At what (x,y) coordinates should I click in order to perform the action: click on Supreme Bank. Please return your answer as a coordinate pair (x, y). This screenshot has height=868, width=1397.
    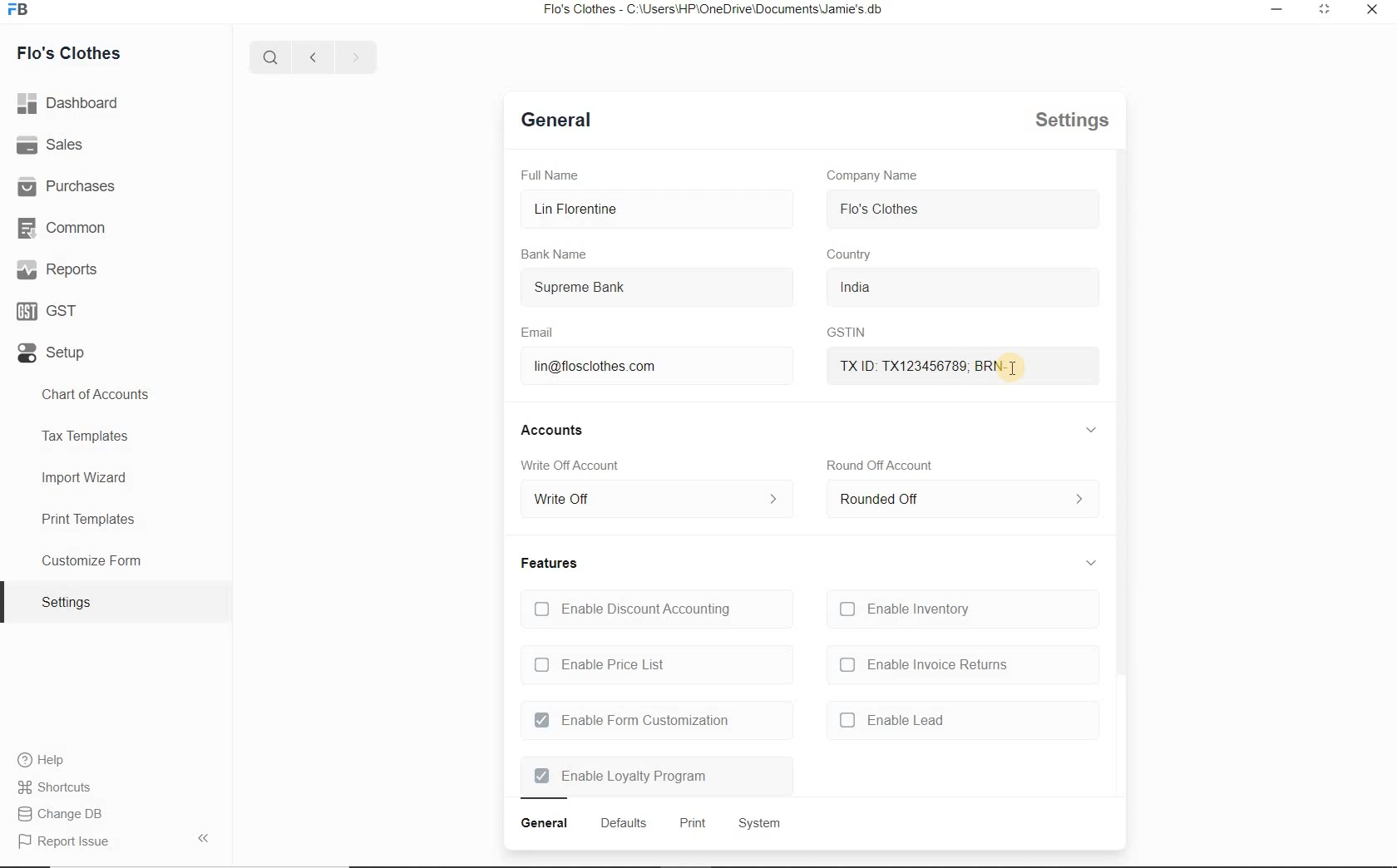
    Looking at the image, I should click on (633, 289).